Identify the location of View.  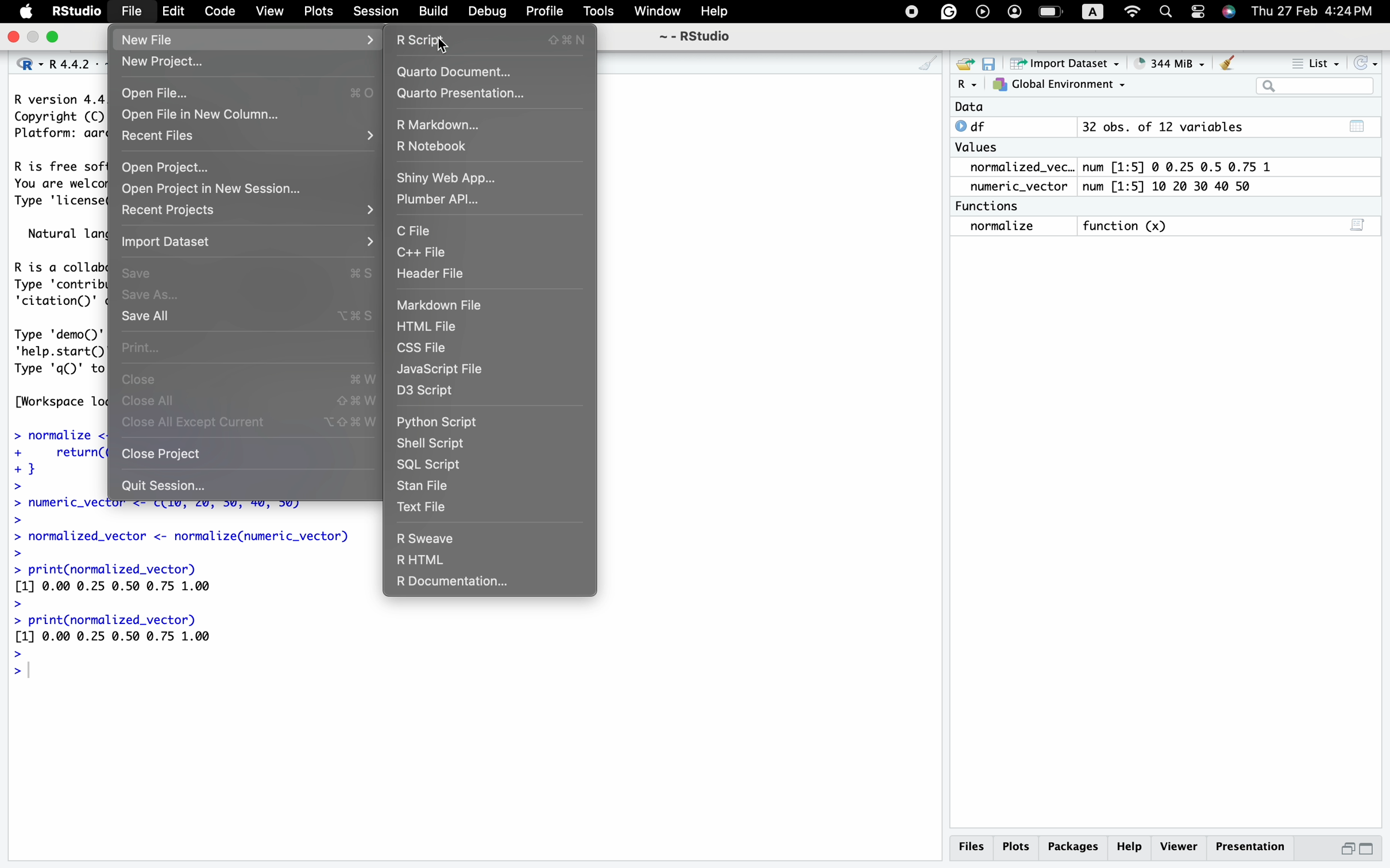
(268, 13).